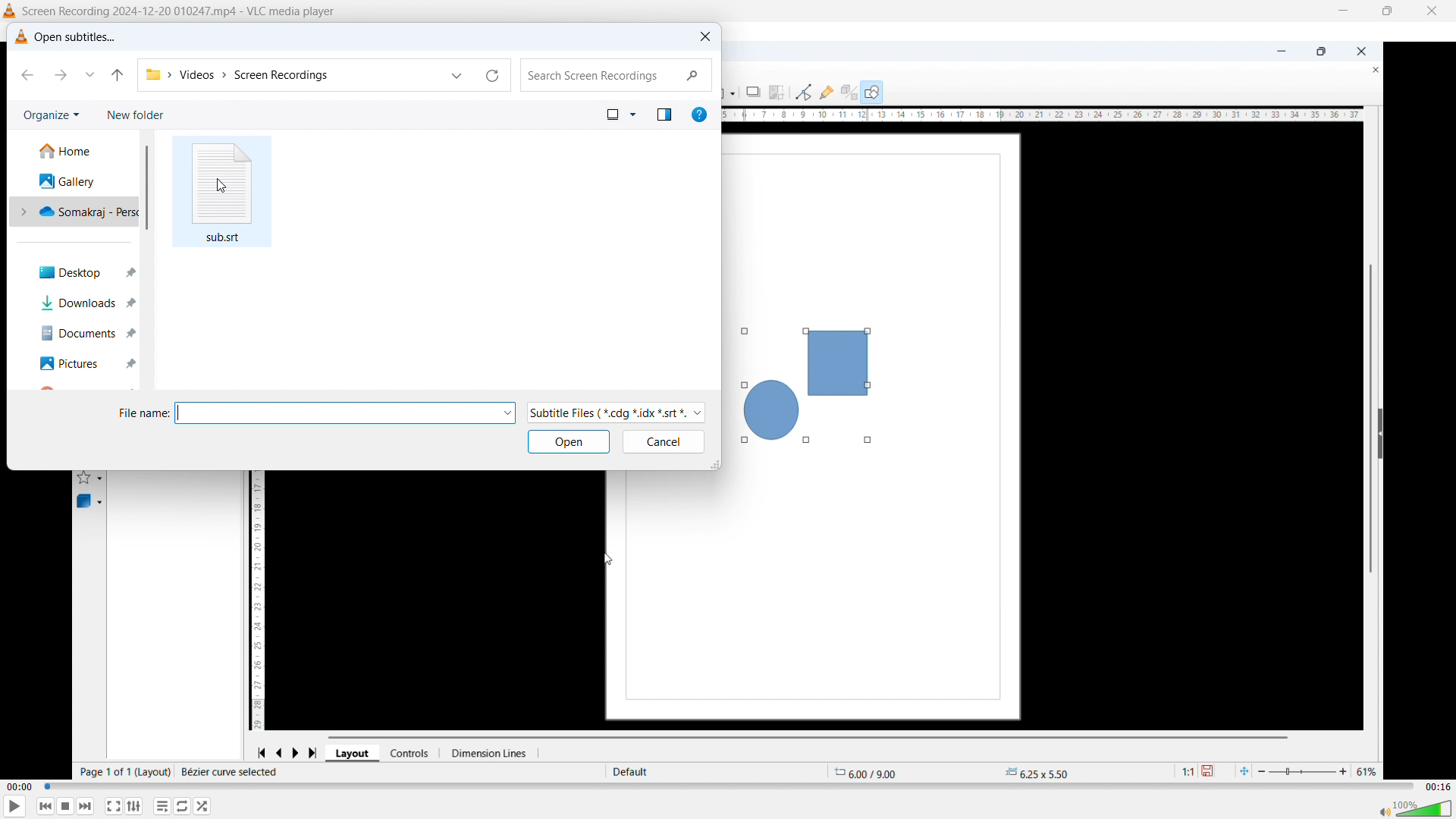 Image resolution: width=1456 pixels, height=819 pixels. Describe the element at coordinates (67, 806) in the screenshot. I see `Stop playback ` at that location.